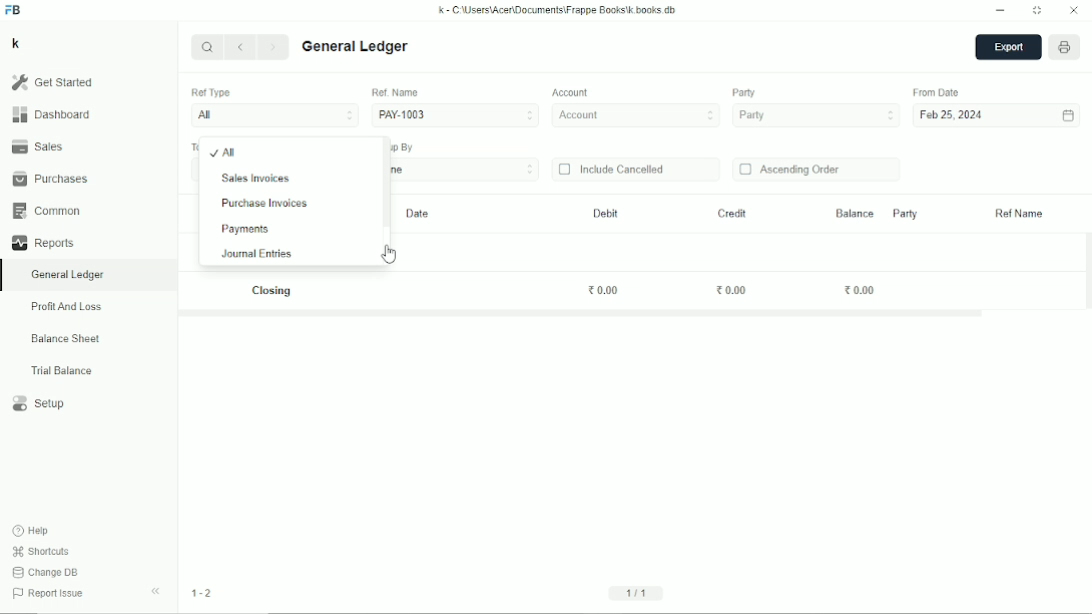  What do you see at coordinates (46, 211) in the screenshot?
I see `Common` at bounding box center [46, 211].